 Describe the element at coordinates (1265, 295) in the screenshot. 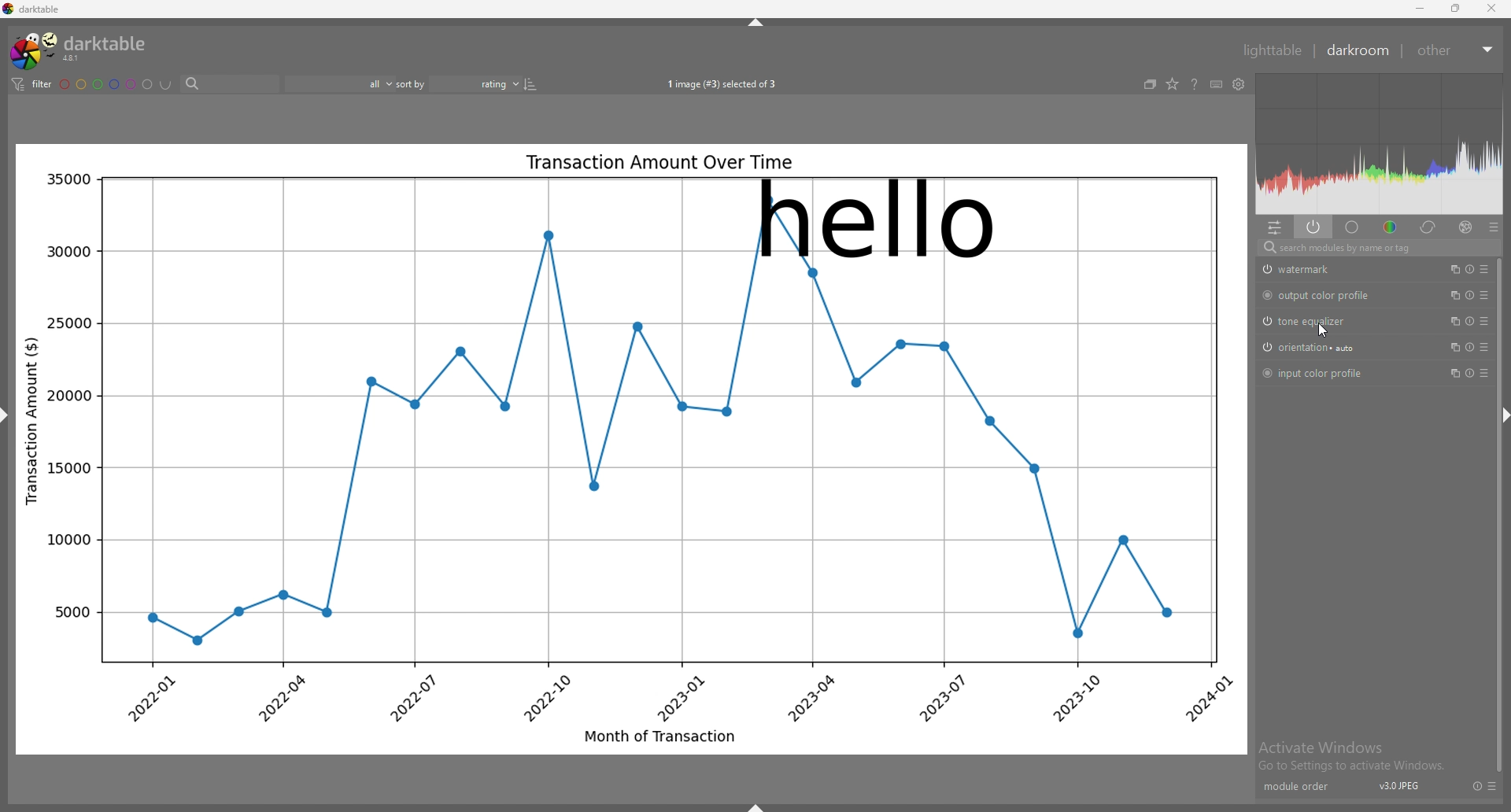

I see `switch off/on` at that location.